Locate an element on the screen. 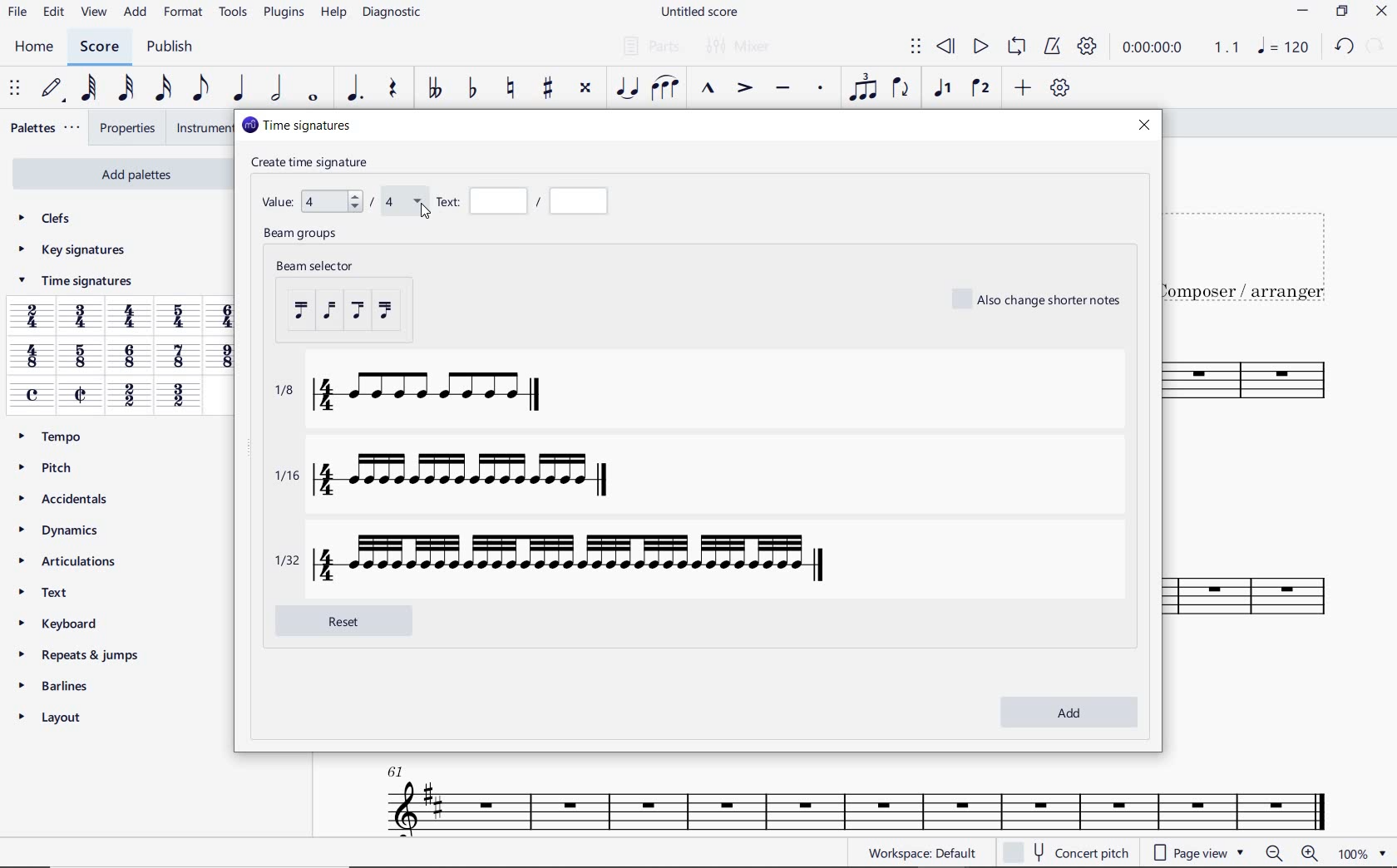 Image resolution: width=1397 pixels, height=868 pixels. PITCH is located at coordinates (49, 467).